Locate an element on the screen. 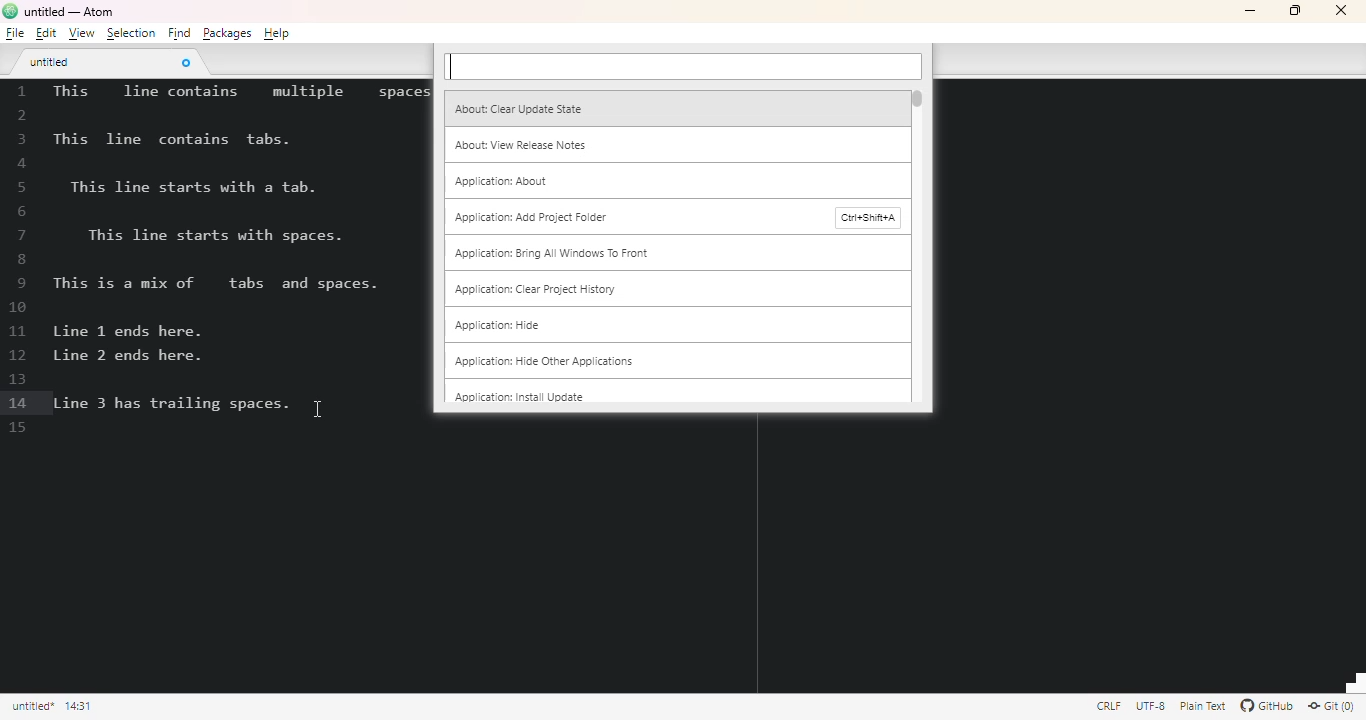 This screenshot has width=1366, height=720. application: about is located at coordinates (503, 180).